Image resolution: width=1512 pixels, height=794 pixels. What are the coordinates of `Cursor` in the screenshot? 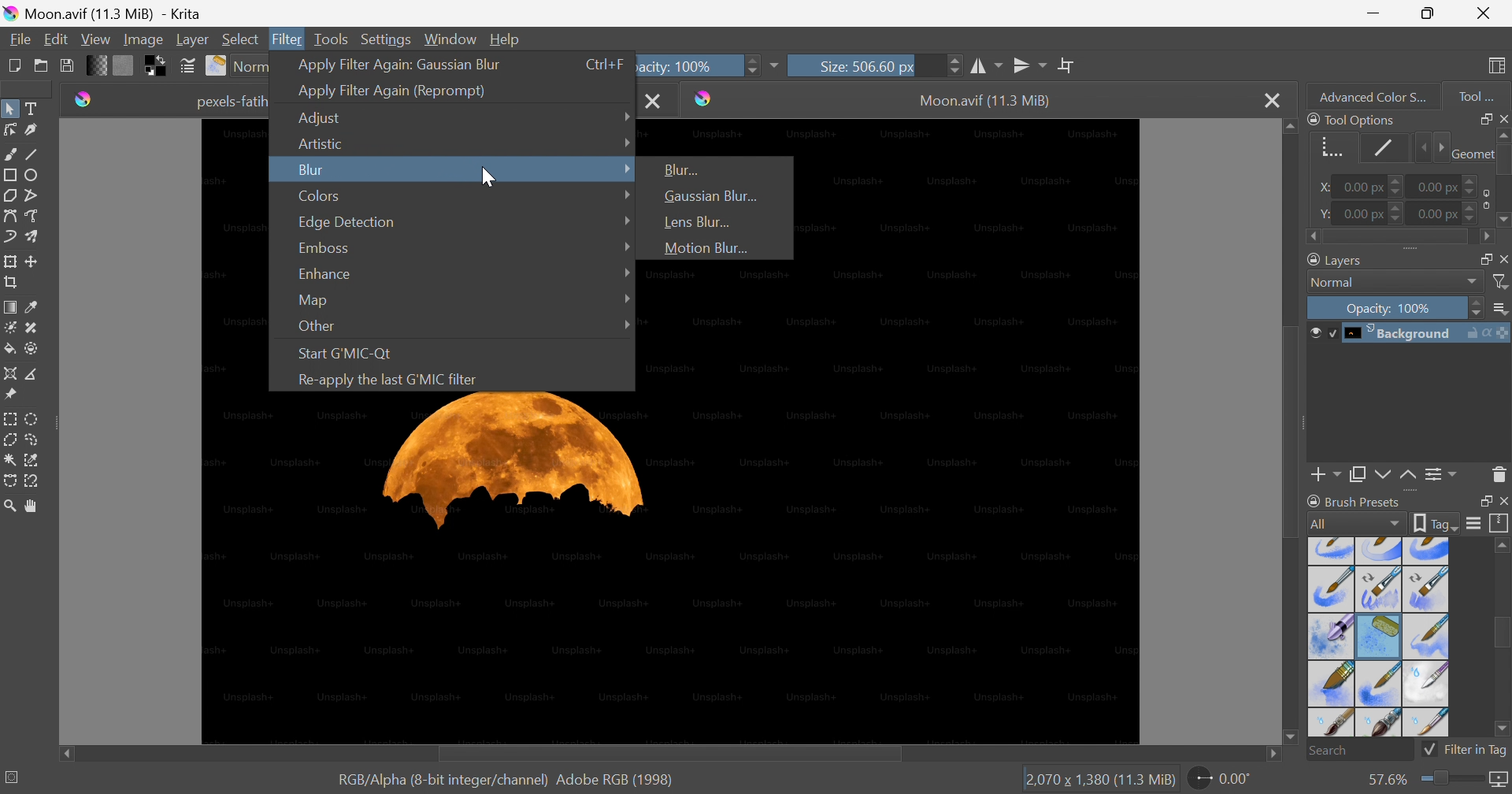 It's located at (487, 176).